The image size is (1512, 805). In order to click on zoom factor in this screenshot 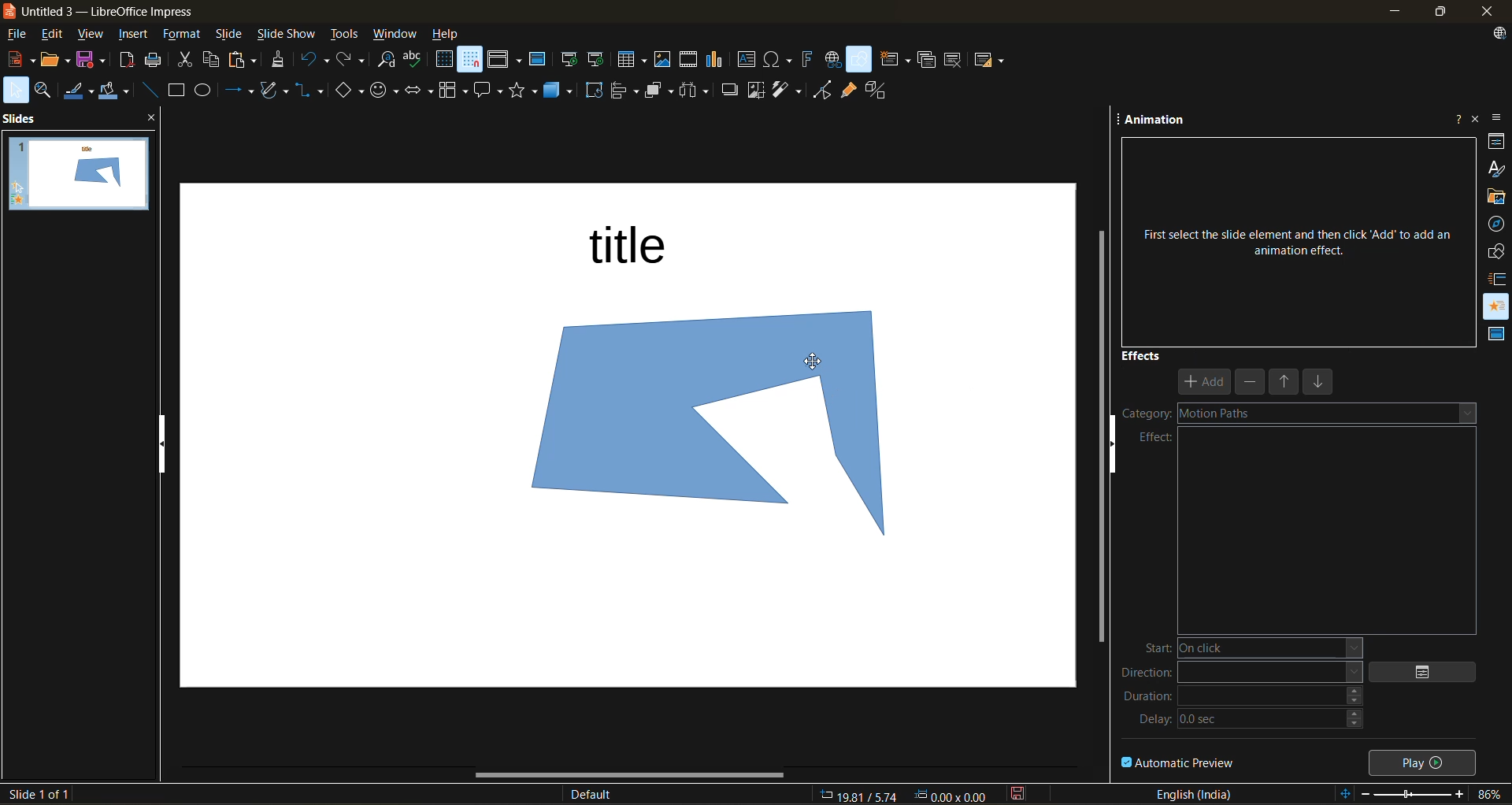, I will do `click(1486, 793)`.